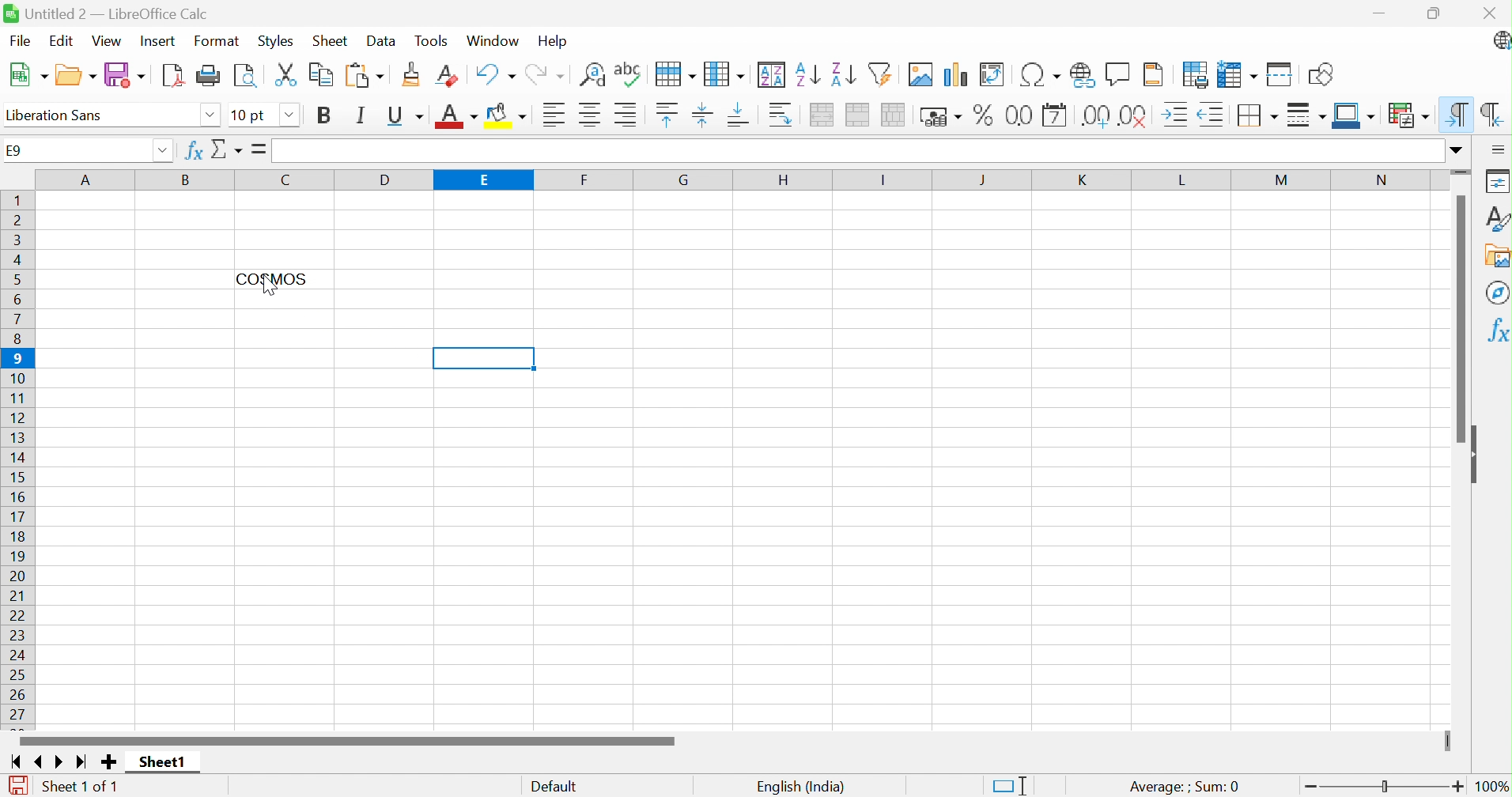 This screenshot has width=1512, height=797. What do you see at coordinates (1386, 787) in the screenshot?
I see `Slider` at bounding box center [1386, 787].